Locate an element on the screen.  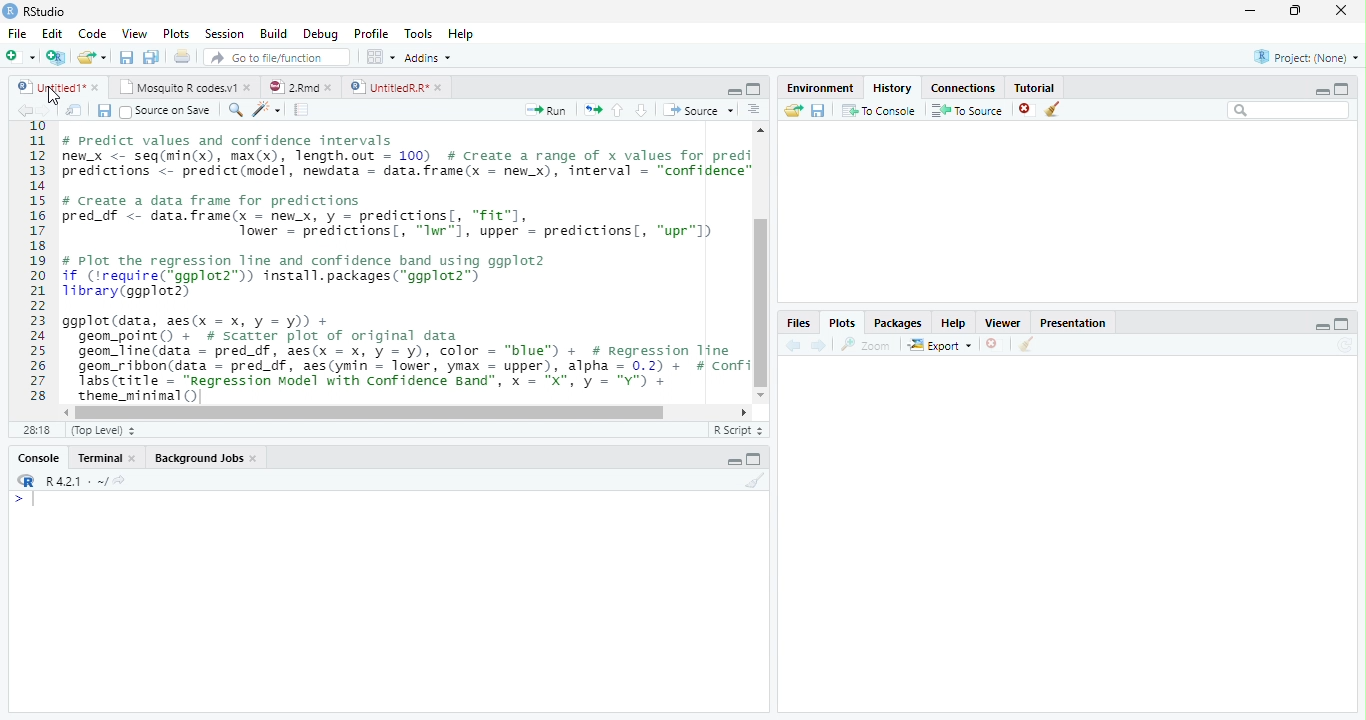
Export is located at coordinates (939, 346).